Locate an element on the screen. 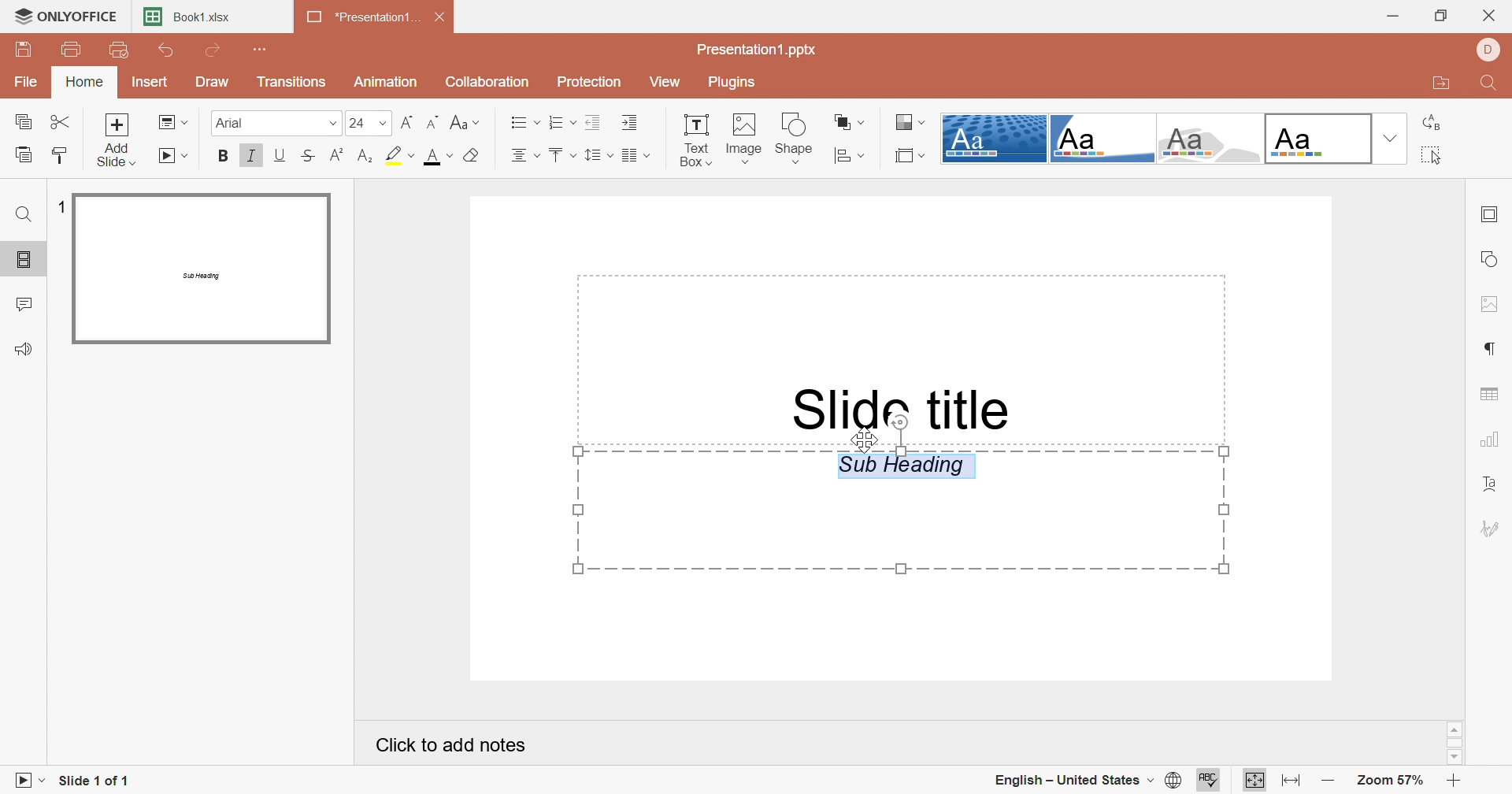  Bullets is located at coordinates (522, 123).